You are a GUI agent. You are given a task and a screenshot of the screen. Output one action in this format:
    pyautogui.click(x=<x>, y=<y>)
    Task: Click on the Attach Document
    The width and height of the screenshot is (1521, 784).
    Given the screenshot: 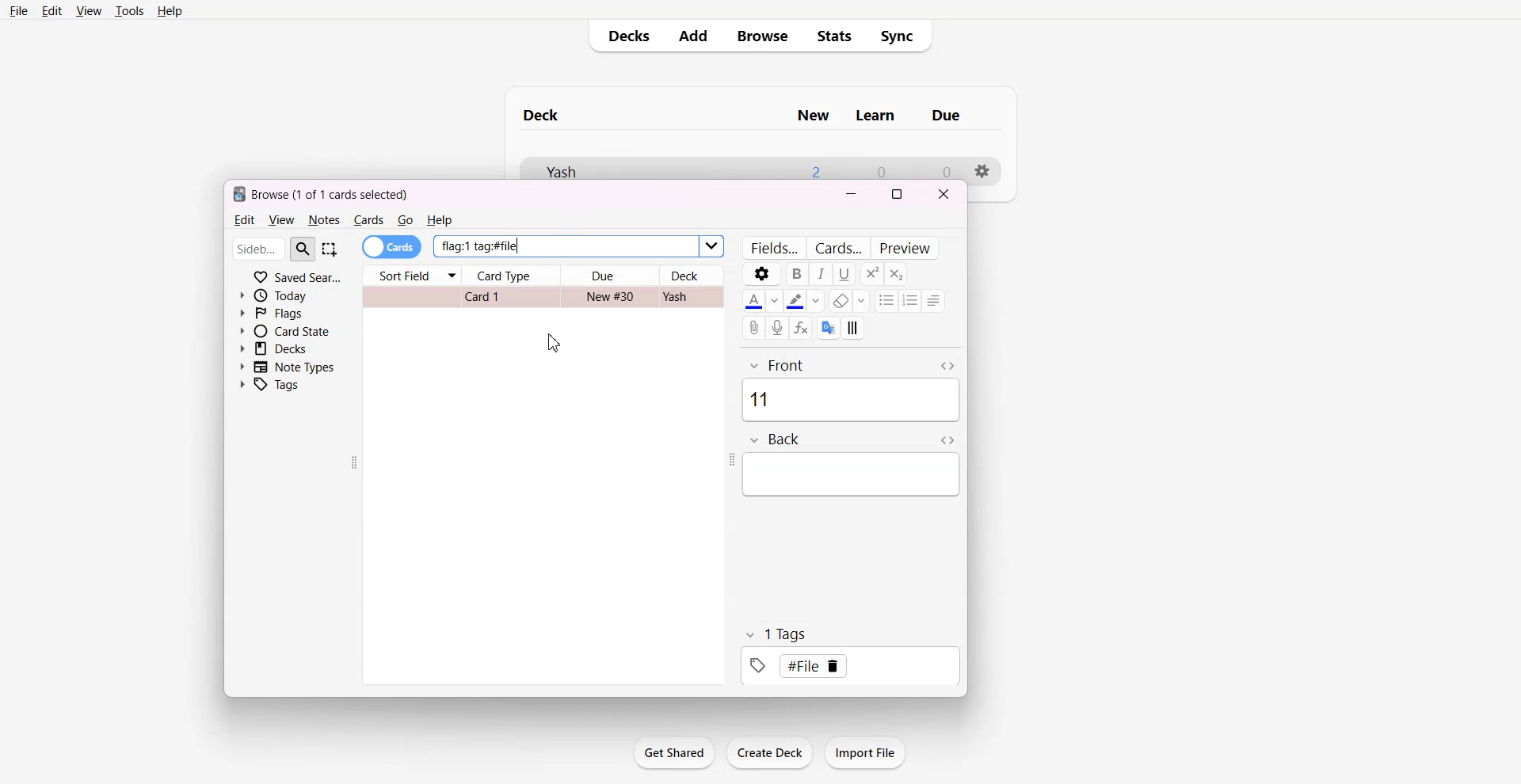 What is the action you would take?
    pyautogui.click(x=755, y=327)
    